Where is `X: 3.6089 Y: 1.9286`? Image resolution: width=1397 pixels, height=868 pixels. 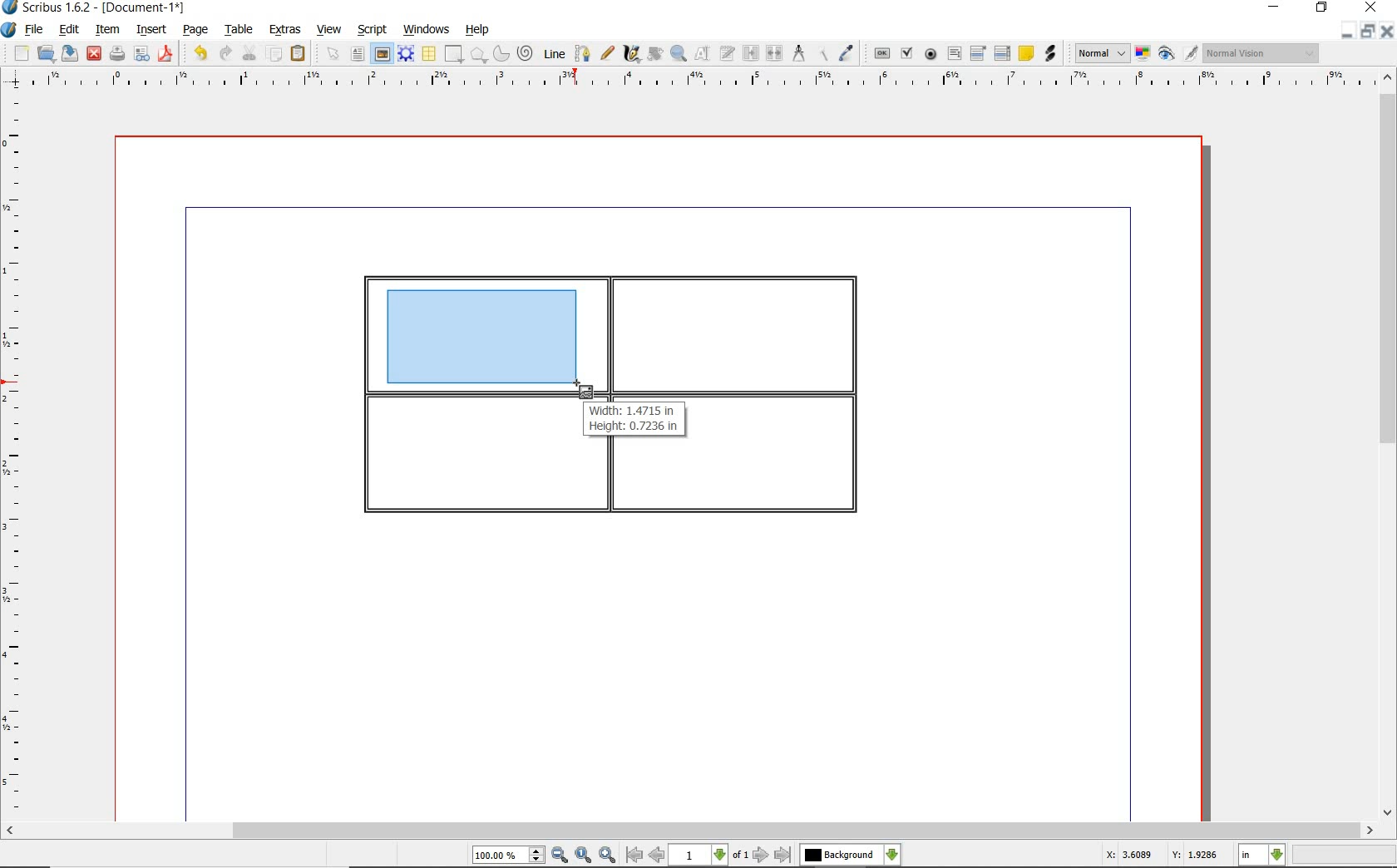 X: 3.6089 Y: 1.9286 is located at coordinates (1161, 856).